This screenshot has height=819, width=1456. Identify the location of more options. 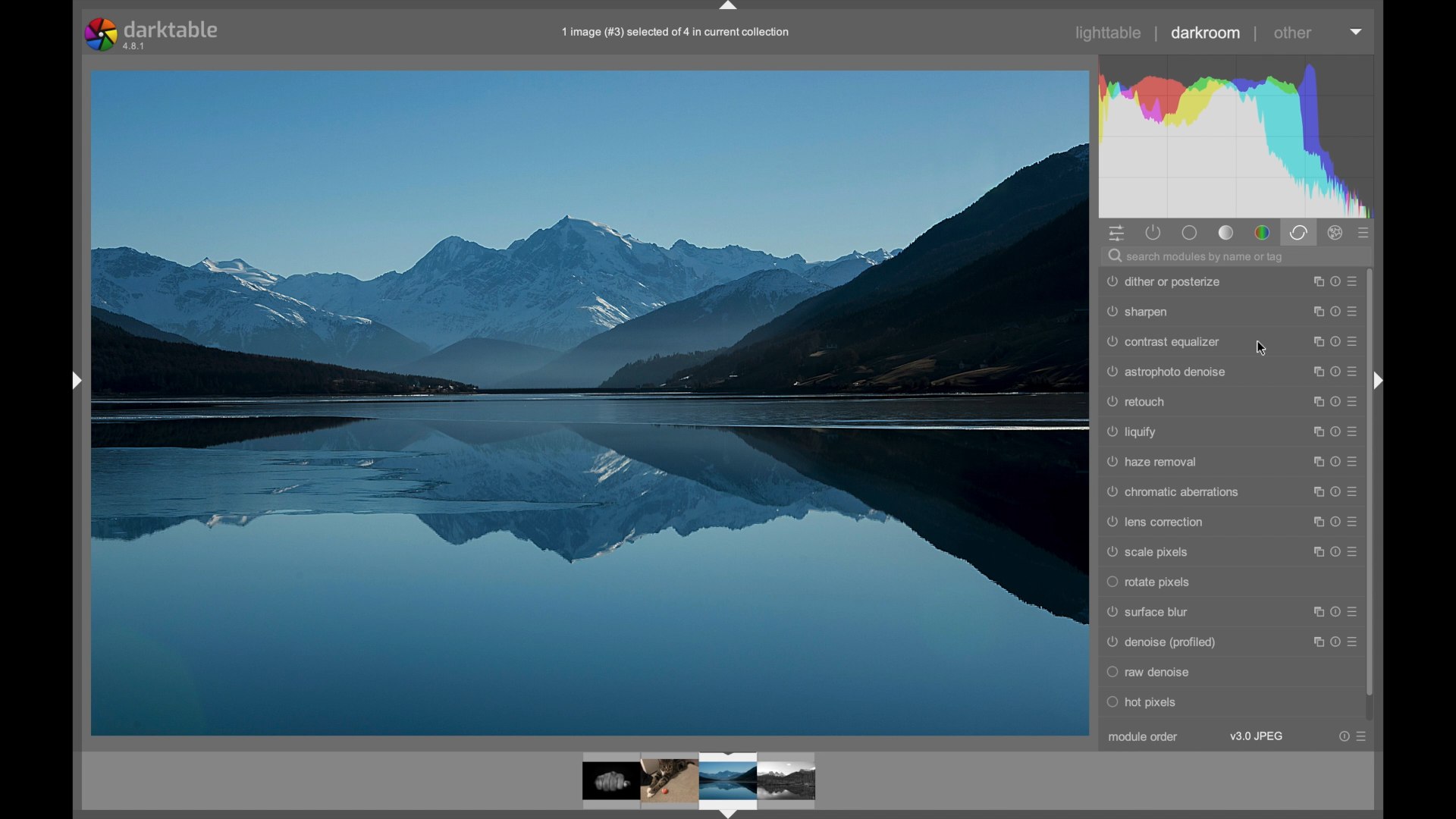
(1333, 460).